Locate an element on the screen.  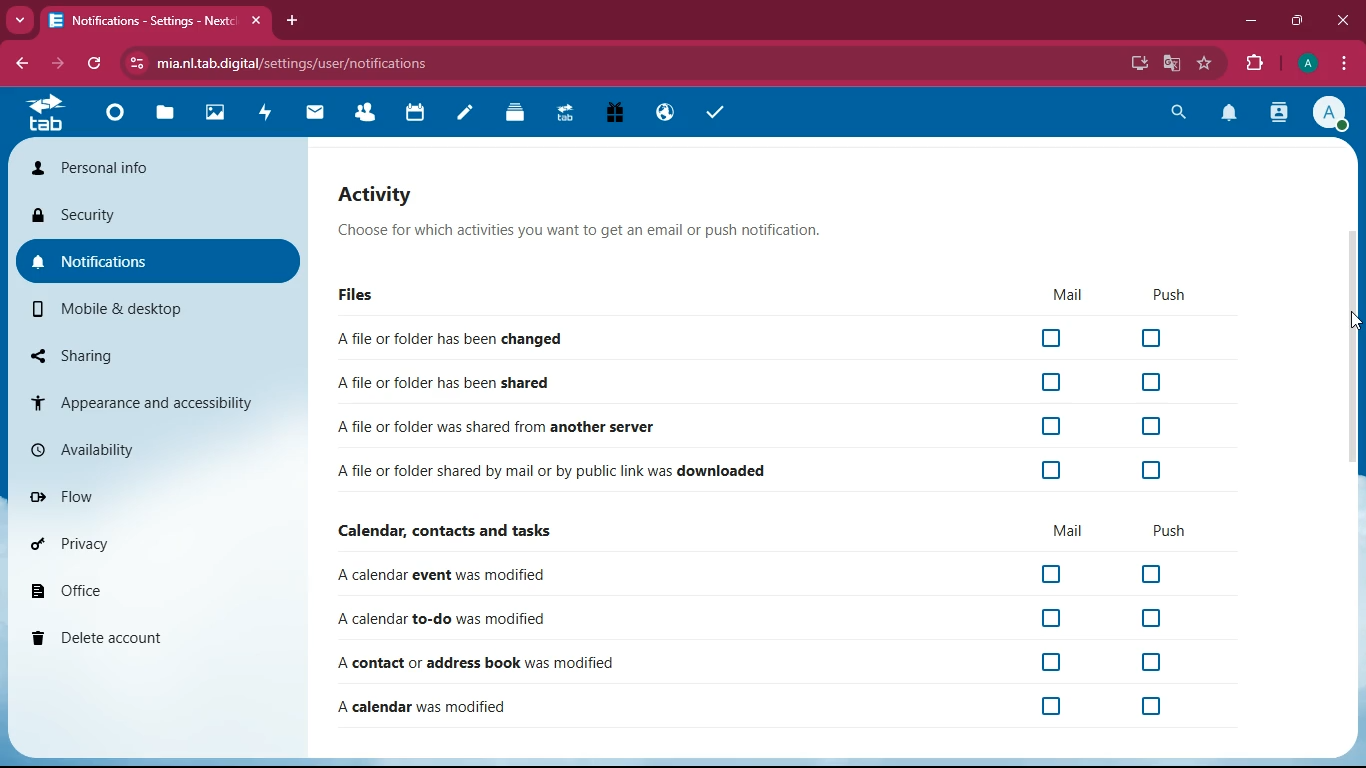
Calendar, contacts and tasks is located at coordinates (451, 530).